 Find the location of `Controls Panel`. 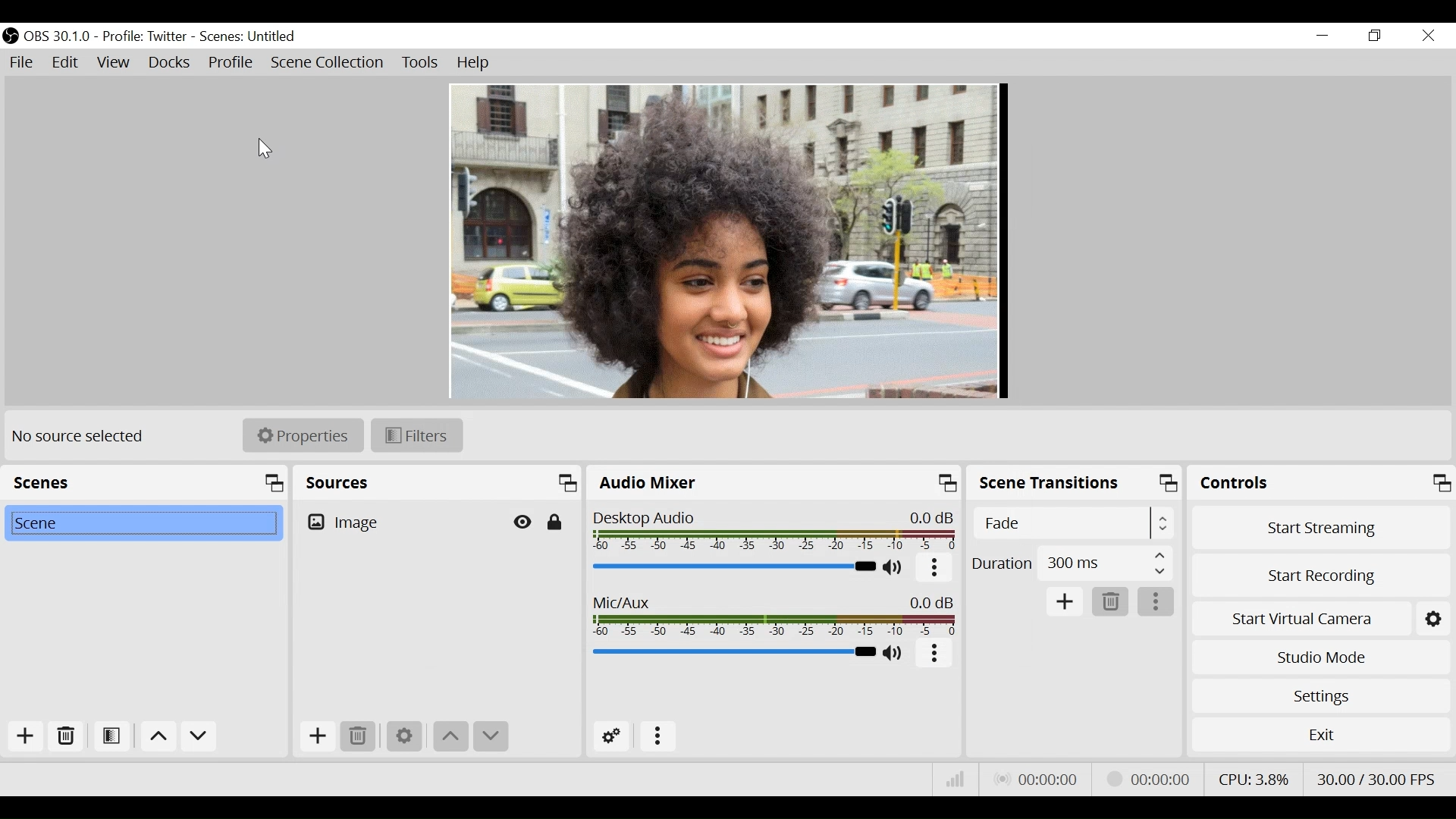

Controls Panel is located at coordinates (1323, 483).